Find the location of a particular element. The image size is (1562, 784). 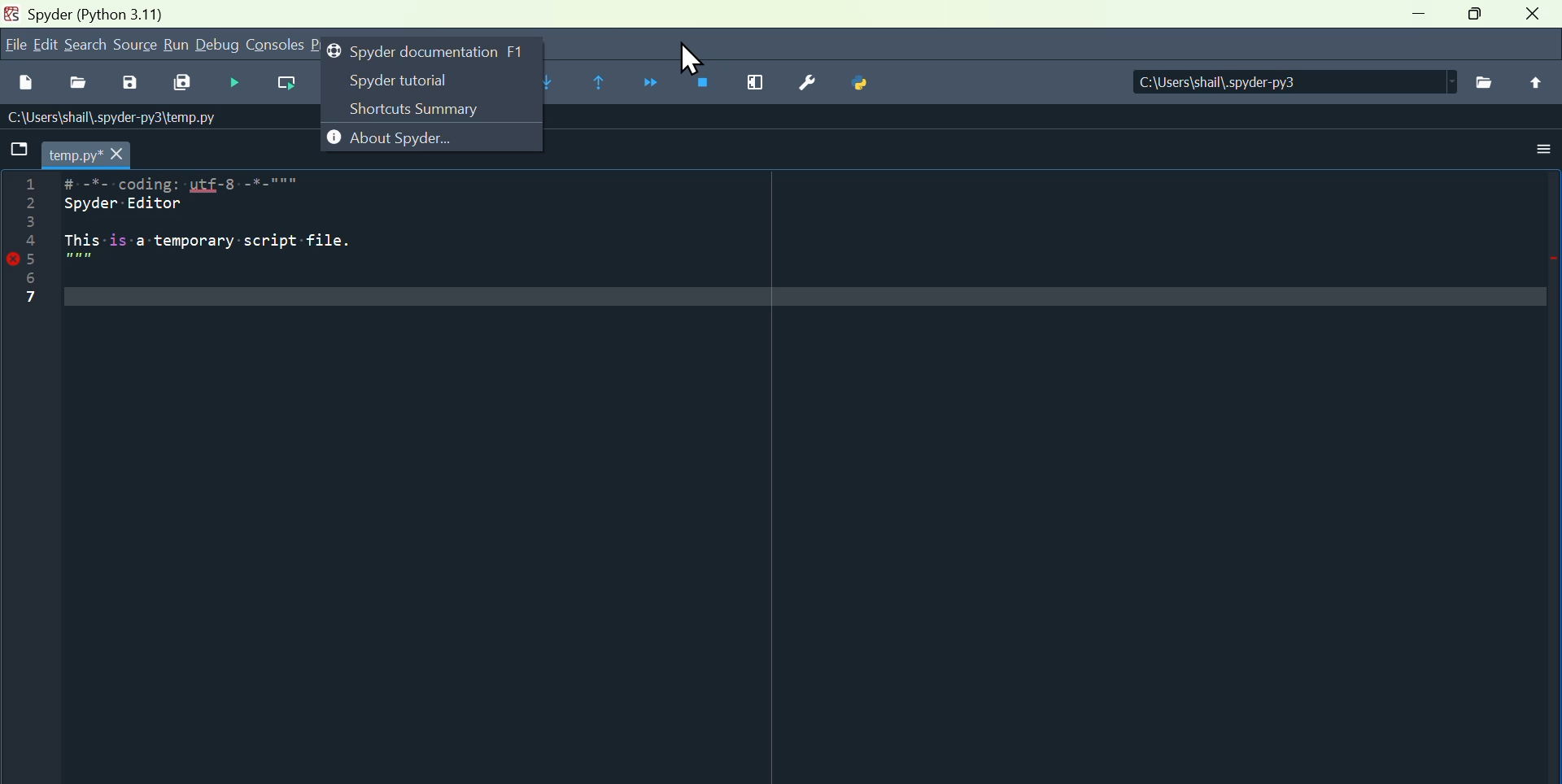

close is located at coordinates (1537, 15).